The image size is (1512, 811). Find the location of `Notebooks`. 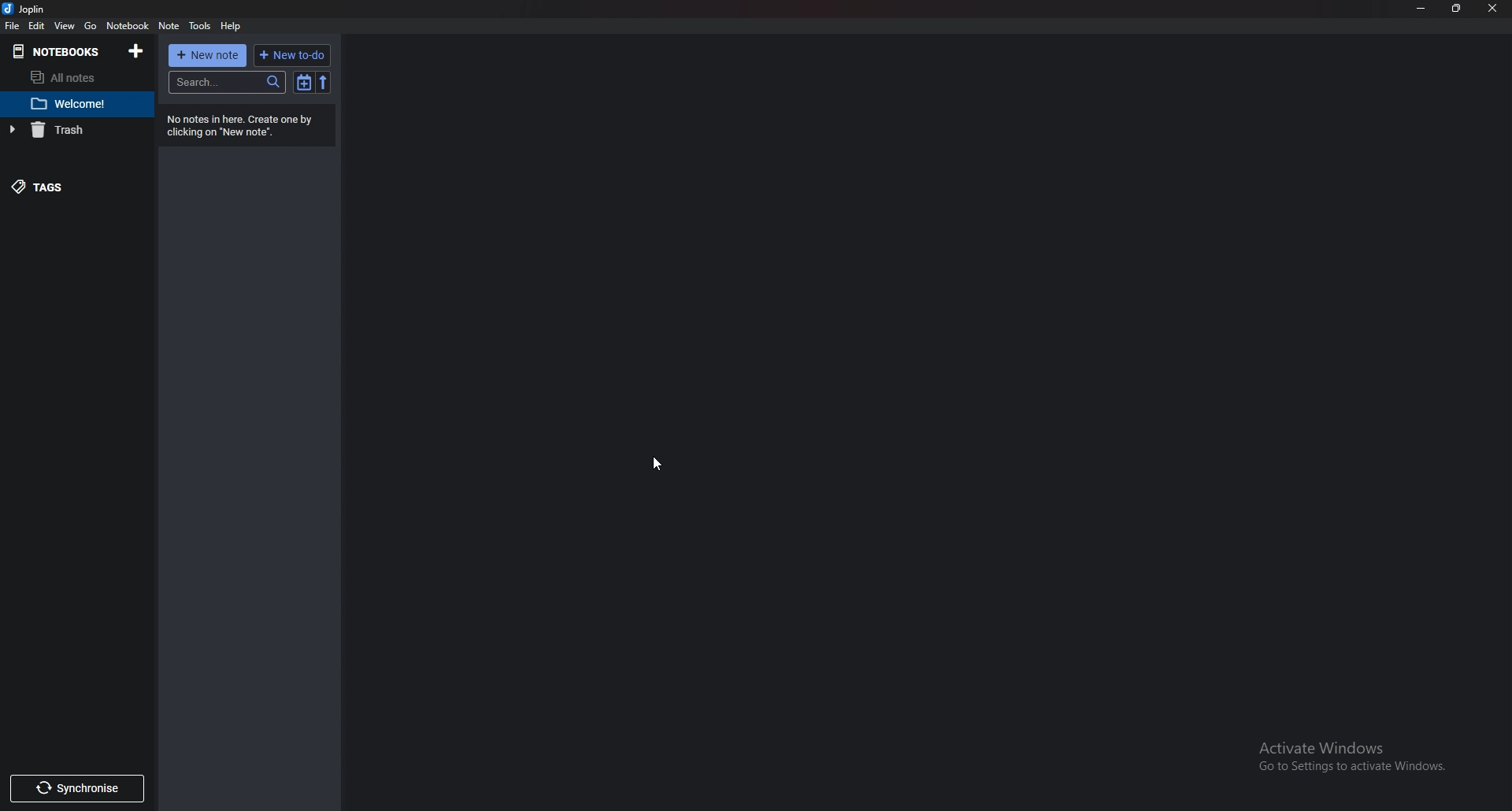

Notebooks is located at coordinates (61, 51).